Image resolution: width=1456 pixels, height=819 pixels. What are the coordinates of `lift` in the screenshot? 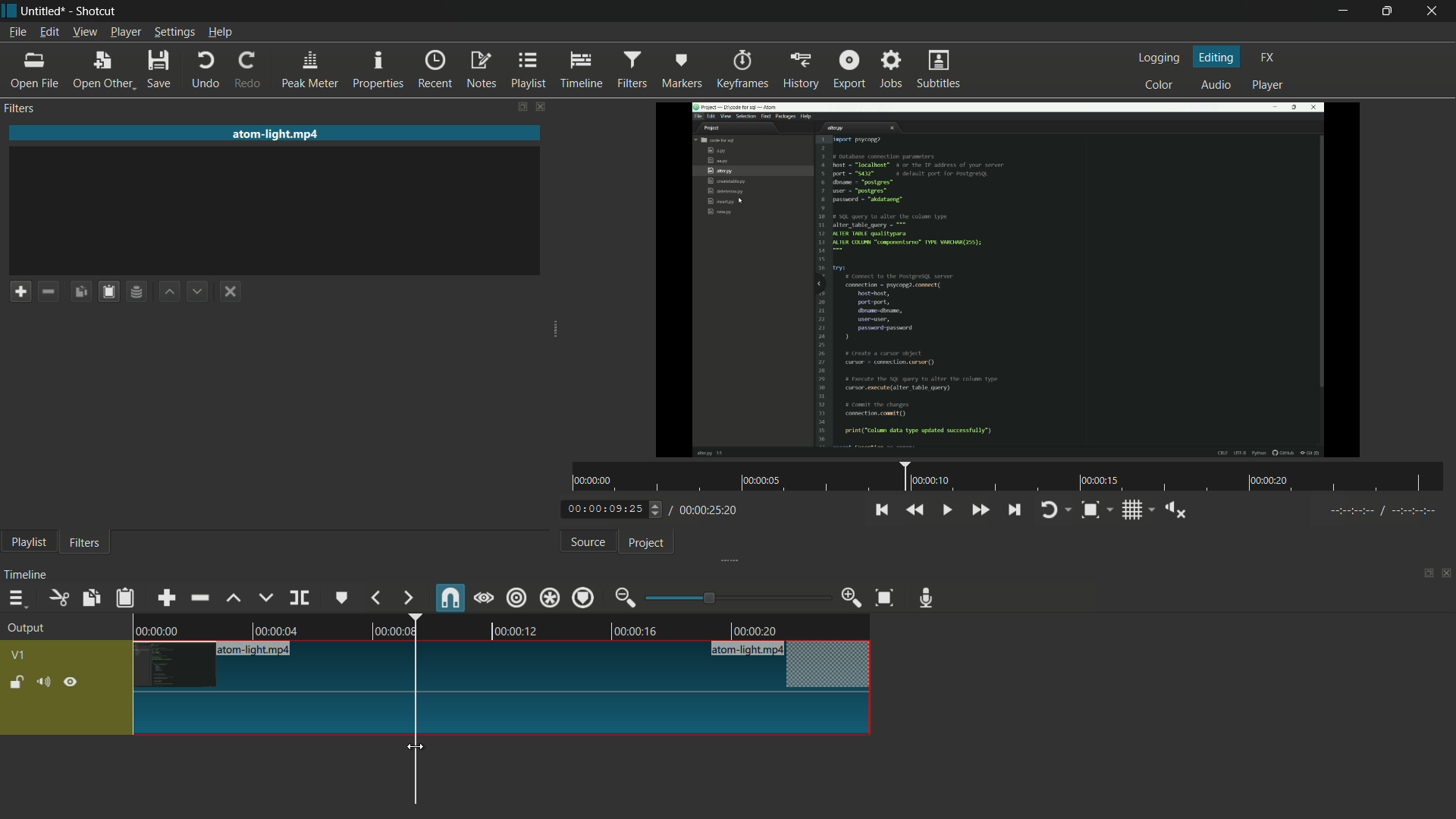 It's located at (234, 598).